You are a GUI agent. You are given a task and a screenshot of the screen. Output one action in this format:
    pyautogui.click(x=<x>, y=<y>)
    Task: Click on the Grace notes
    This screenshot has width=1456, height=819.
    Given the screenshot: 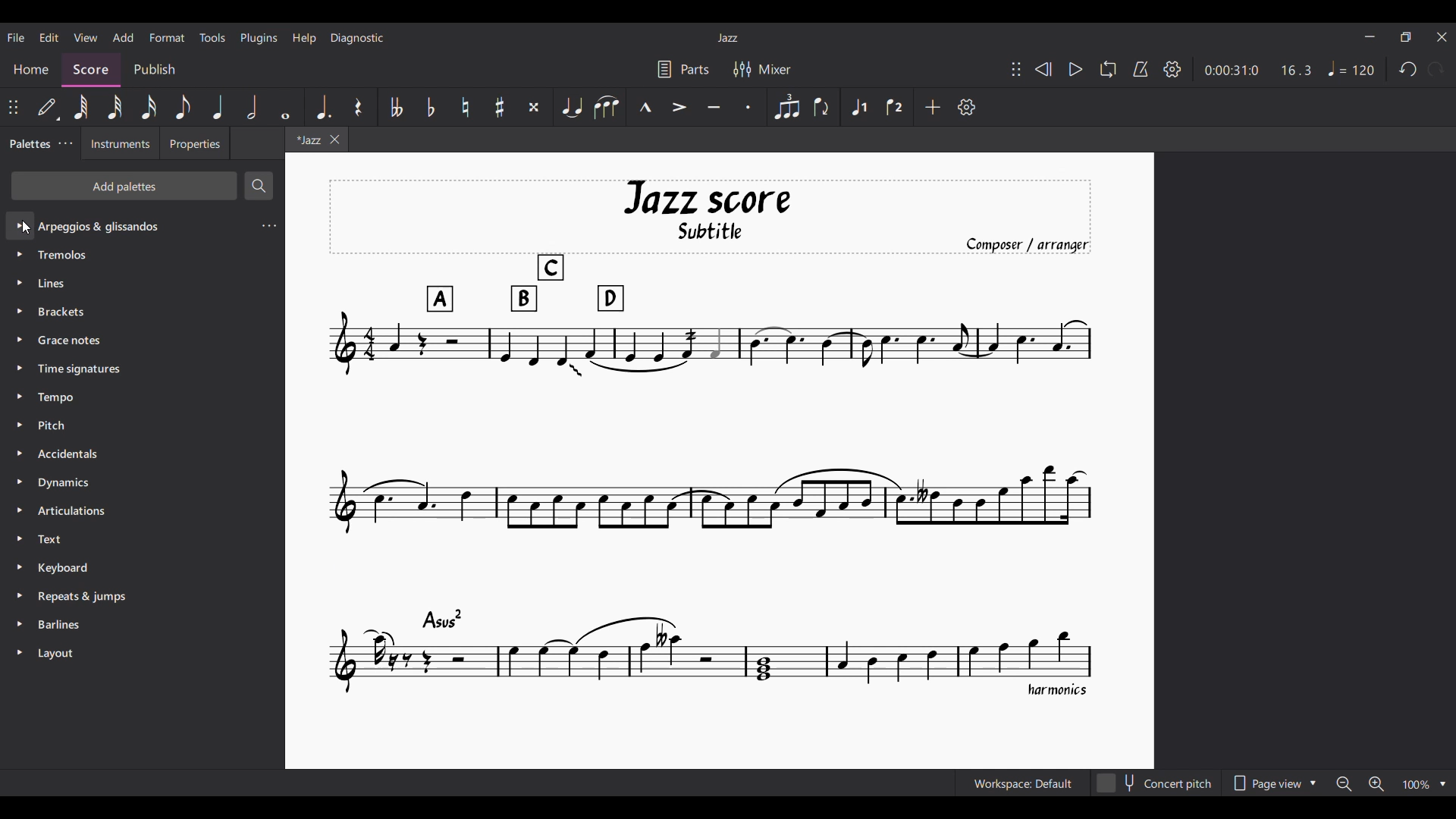 What is the action you would take?
    pyautogui.click(x=71, y=339)
    